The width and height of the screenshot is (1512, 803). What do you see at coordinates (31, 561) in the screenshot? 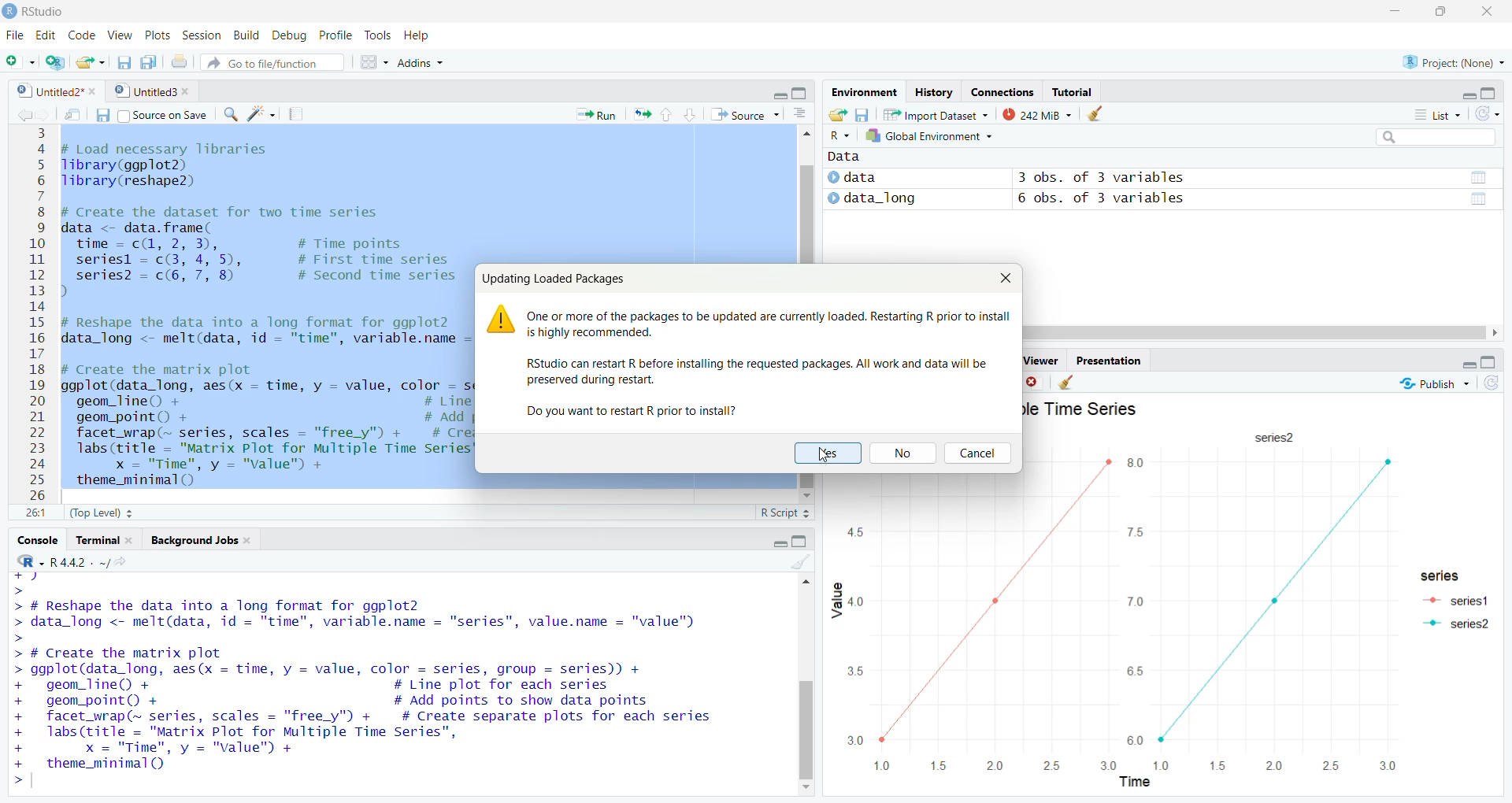
I see `R ` at bounding box center [31, 561].